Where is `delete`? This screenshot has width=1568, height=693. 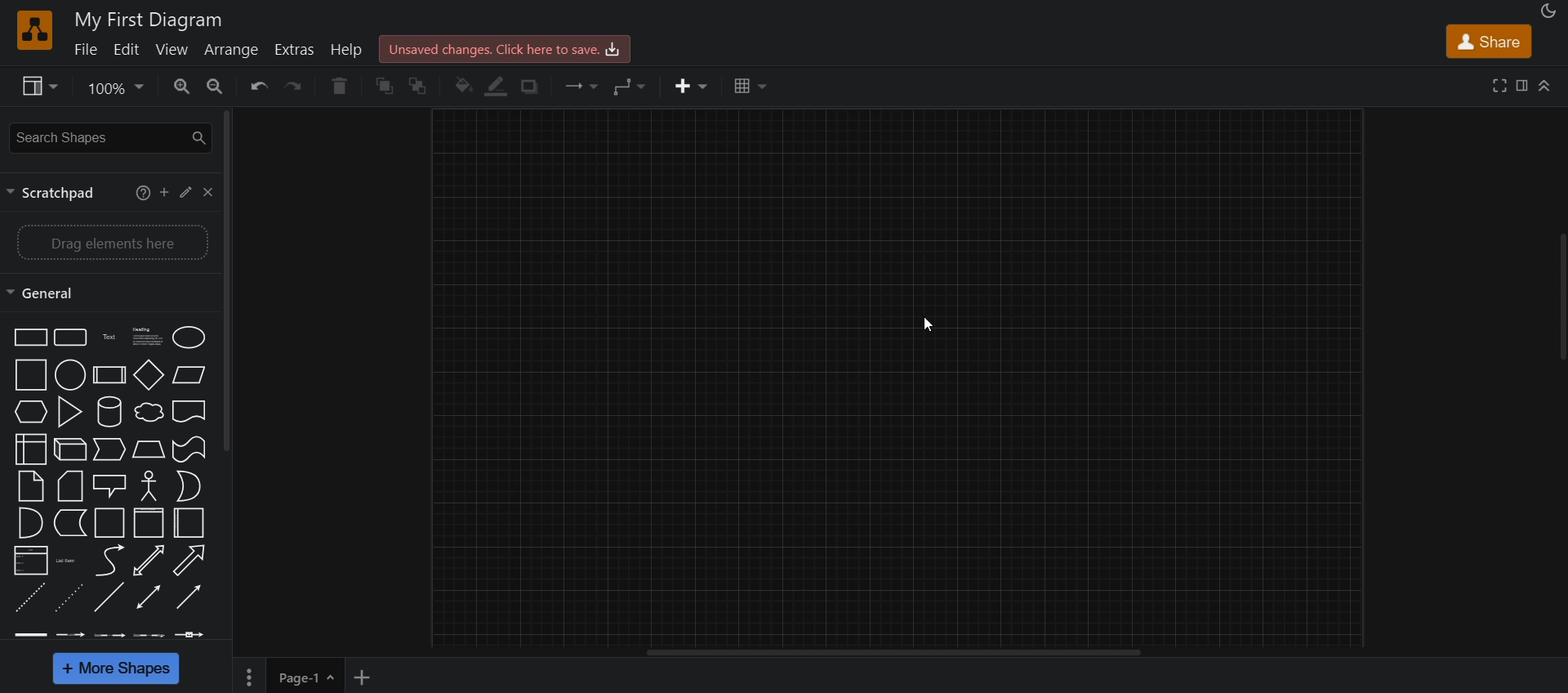 delete is located at coordinates (345, 87).